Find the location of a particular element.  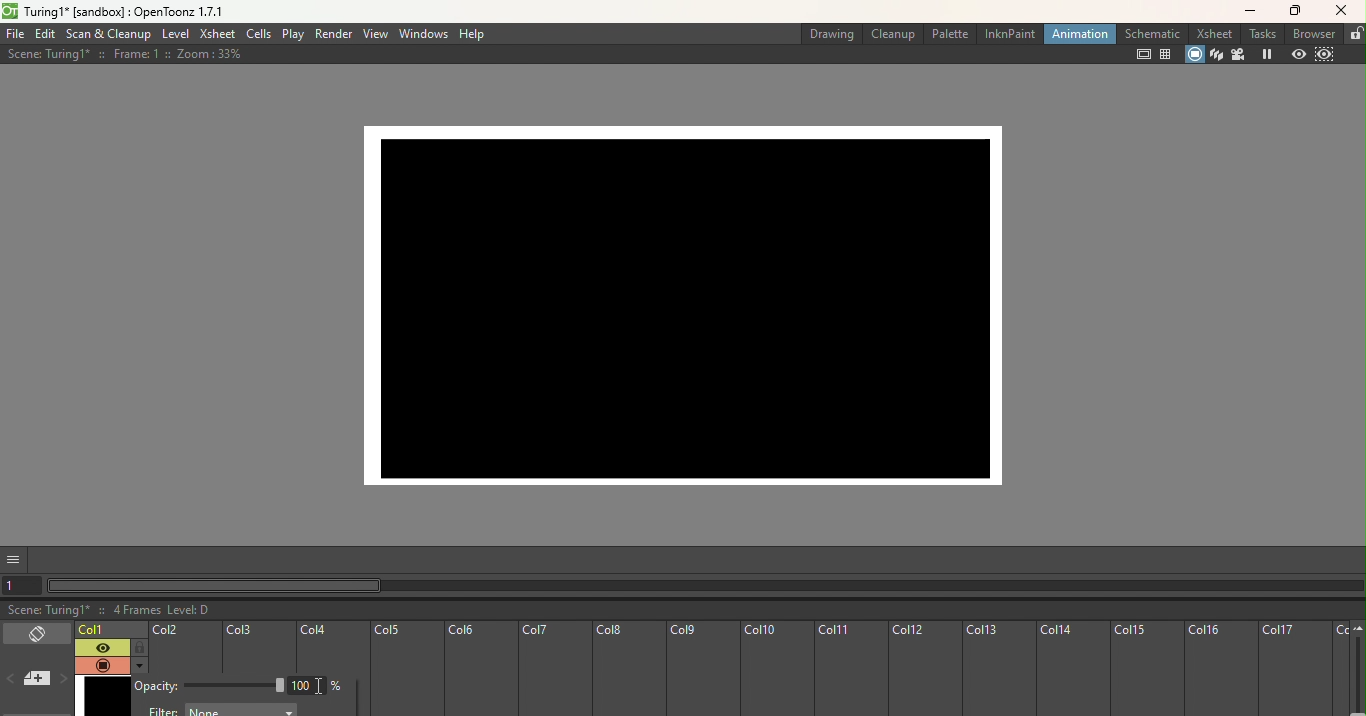

Scene: Turing1* :: 4 Frames Level: D is located at coordinates (683, 610).